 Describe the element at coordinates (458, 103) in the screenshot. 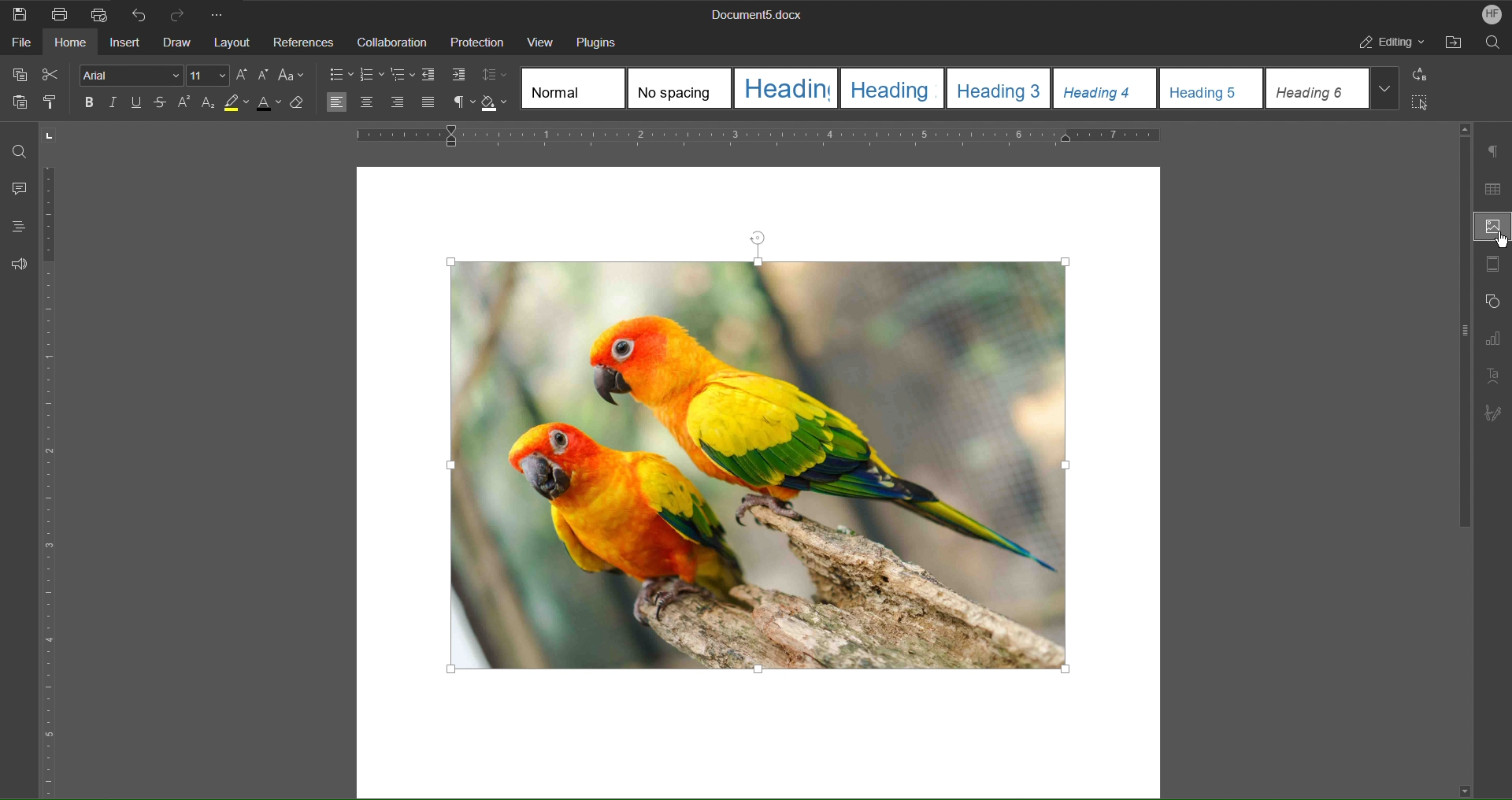

I see `Non-Printing Characters` at that location.